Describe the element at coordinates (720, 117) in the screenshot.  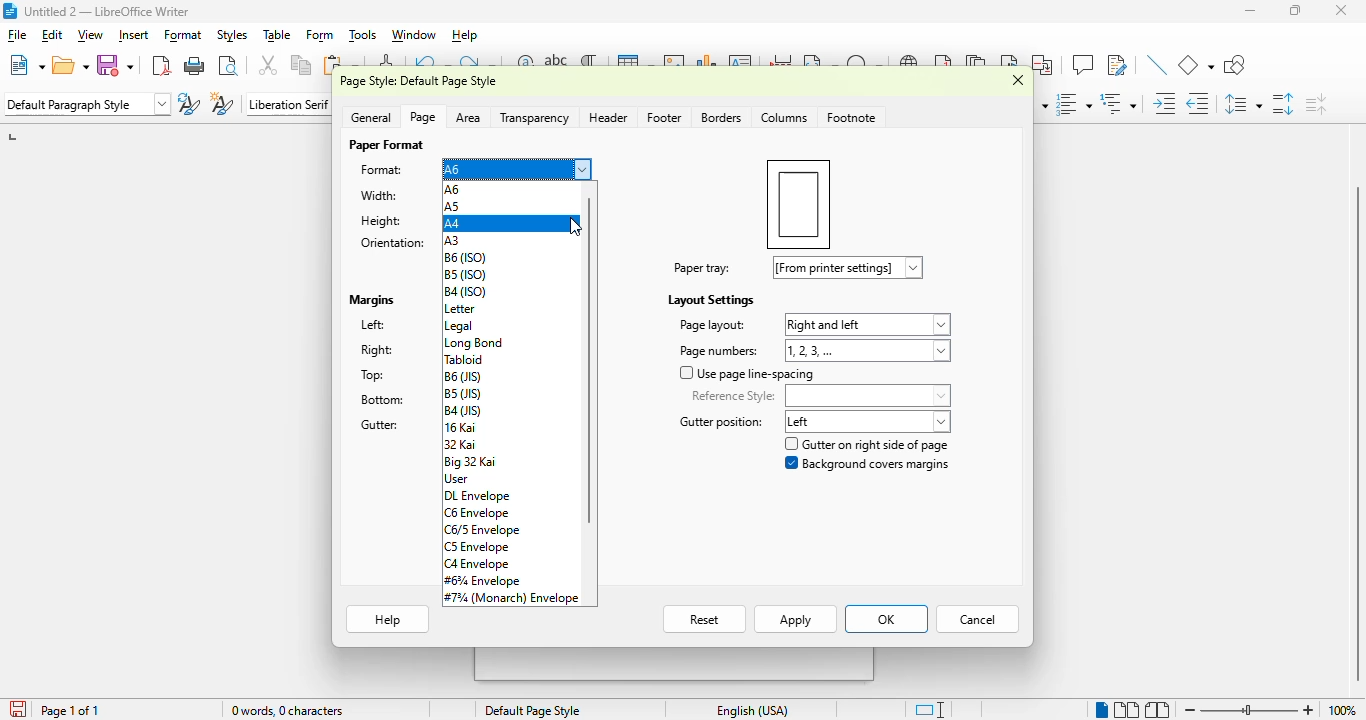
I see `borders` at that location.